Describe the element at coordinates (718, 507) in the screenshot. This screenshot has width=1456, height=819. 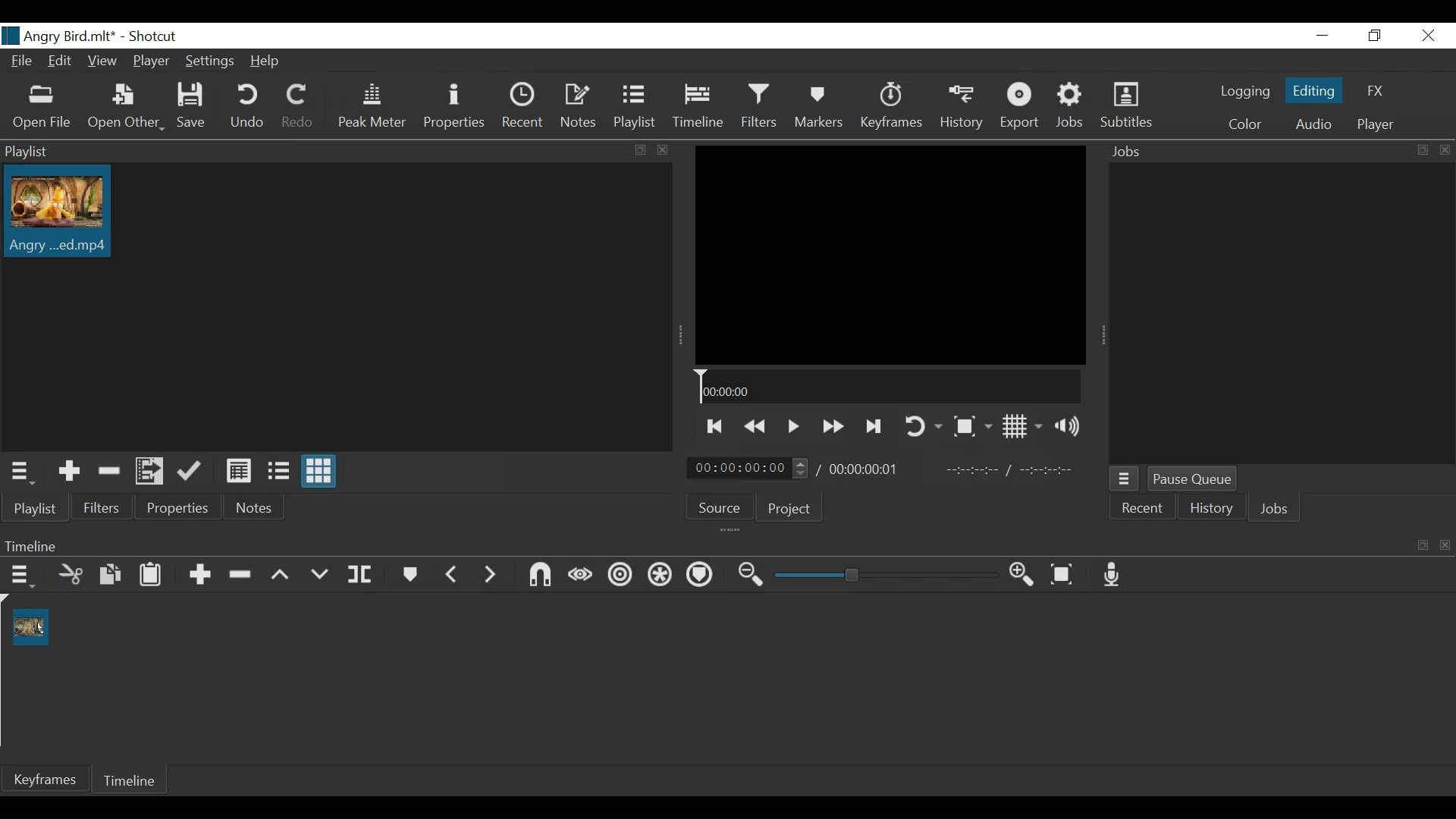
I see `Source` at that location.